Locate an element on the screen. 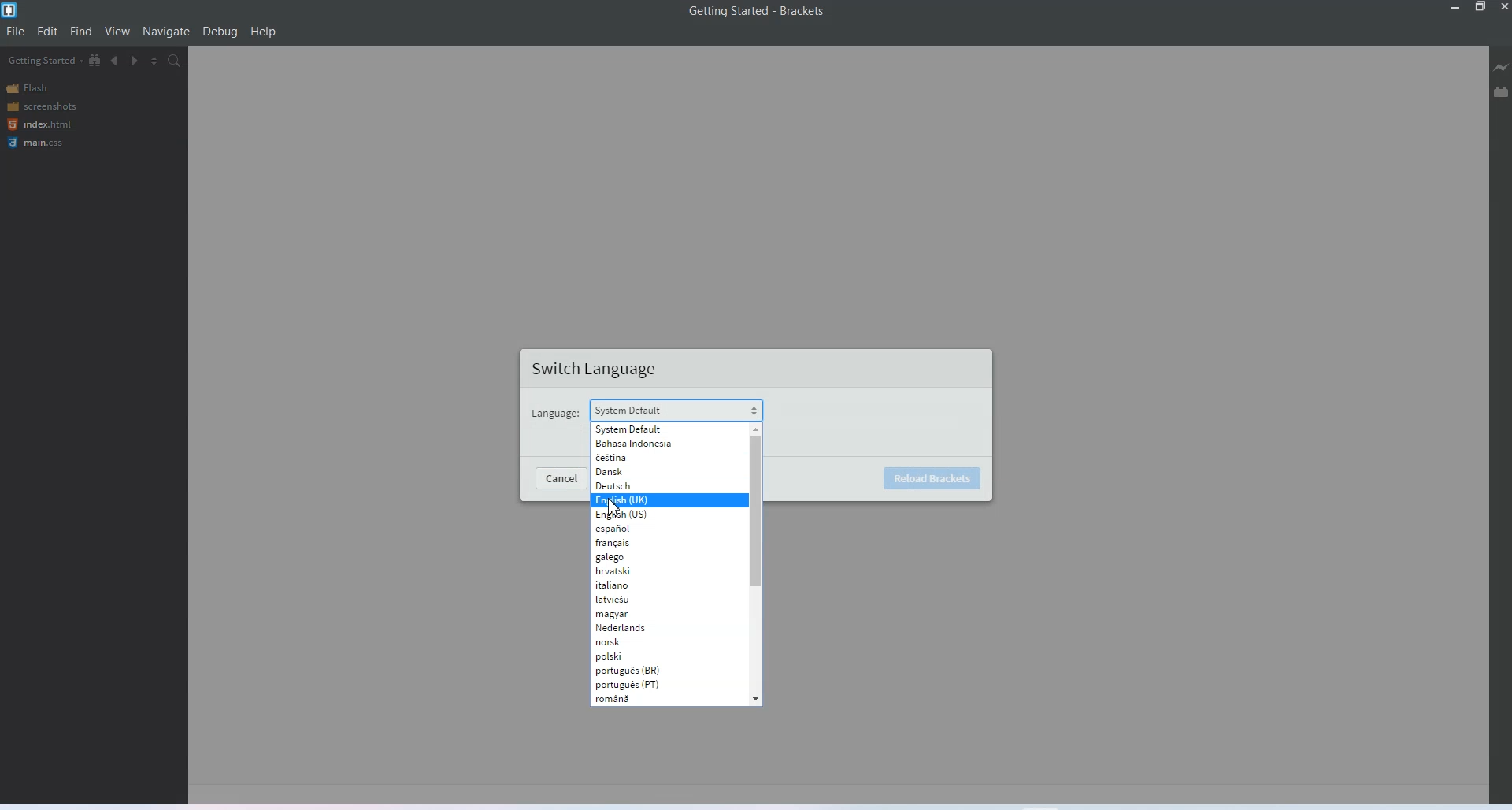  Dansk is located at coordinates (658, 472).